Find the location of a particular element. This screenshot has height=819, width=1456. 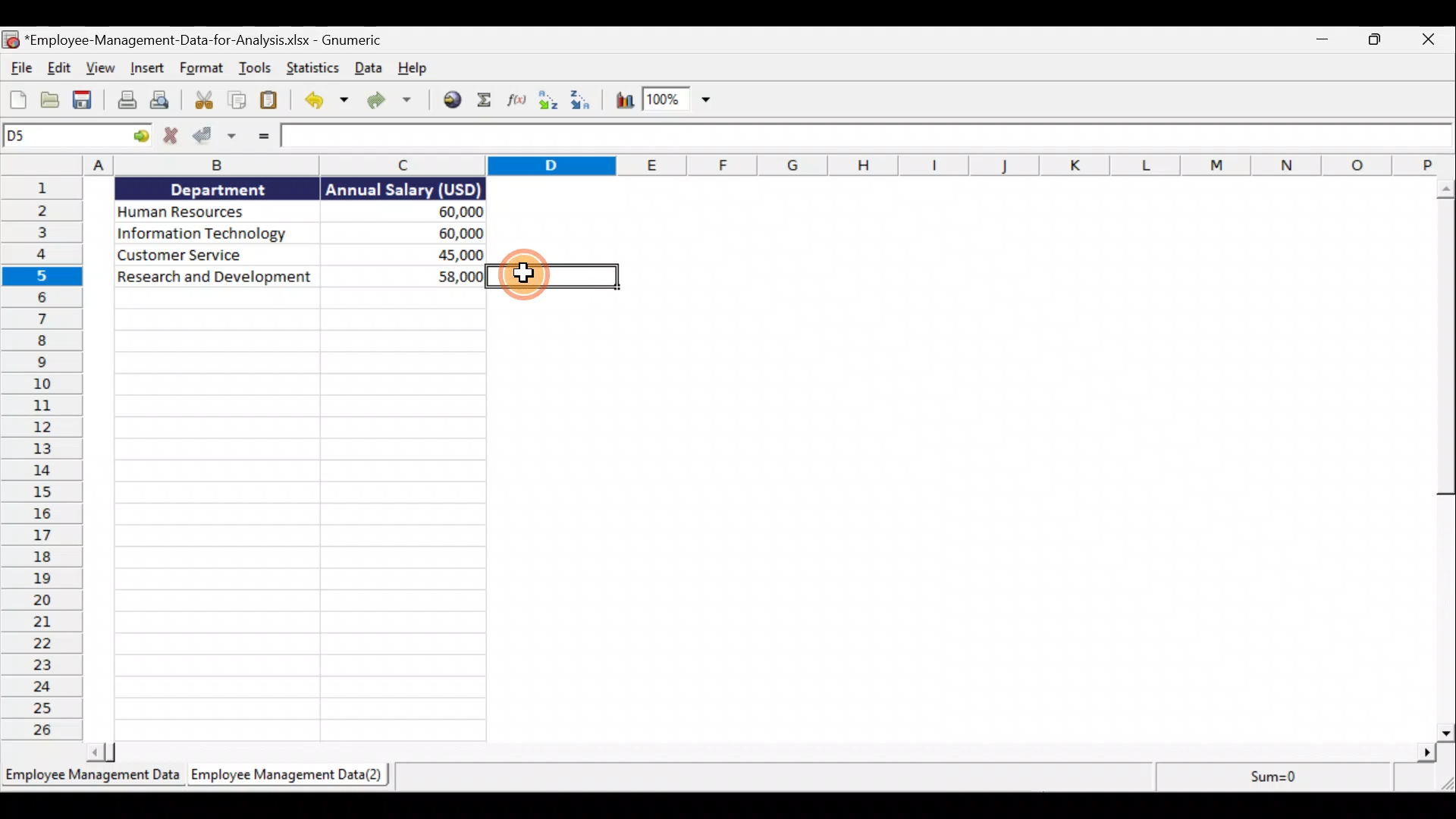

Copy selection is located at coordinates (234, 100).